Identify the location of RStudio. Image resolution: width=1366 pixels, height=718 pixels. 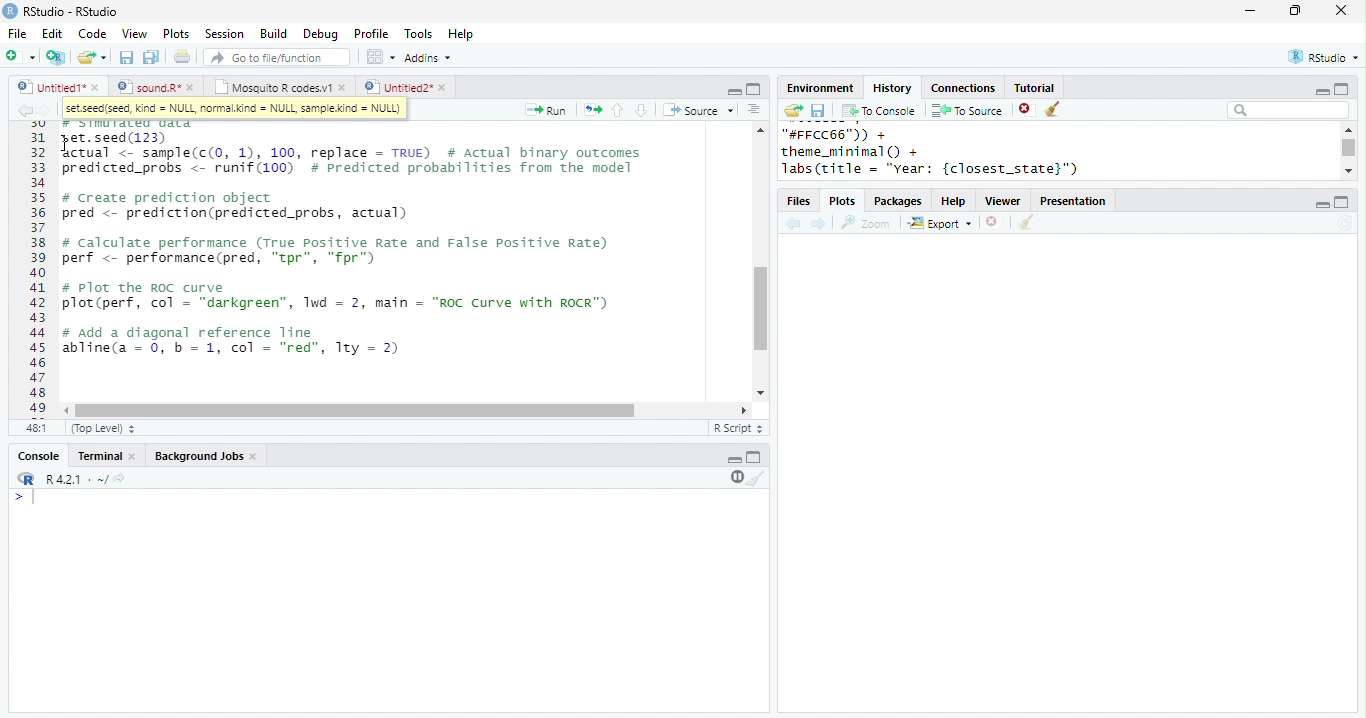
(1326, 56).